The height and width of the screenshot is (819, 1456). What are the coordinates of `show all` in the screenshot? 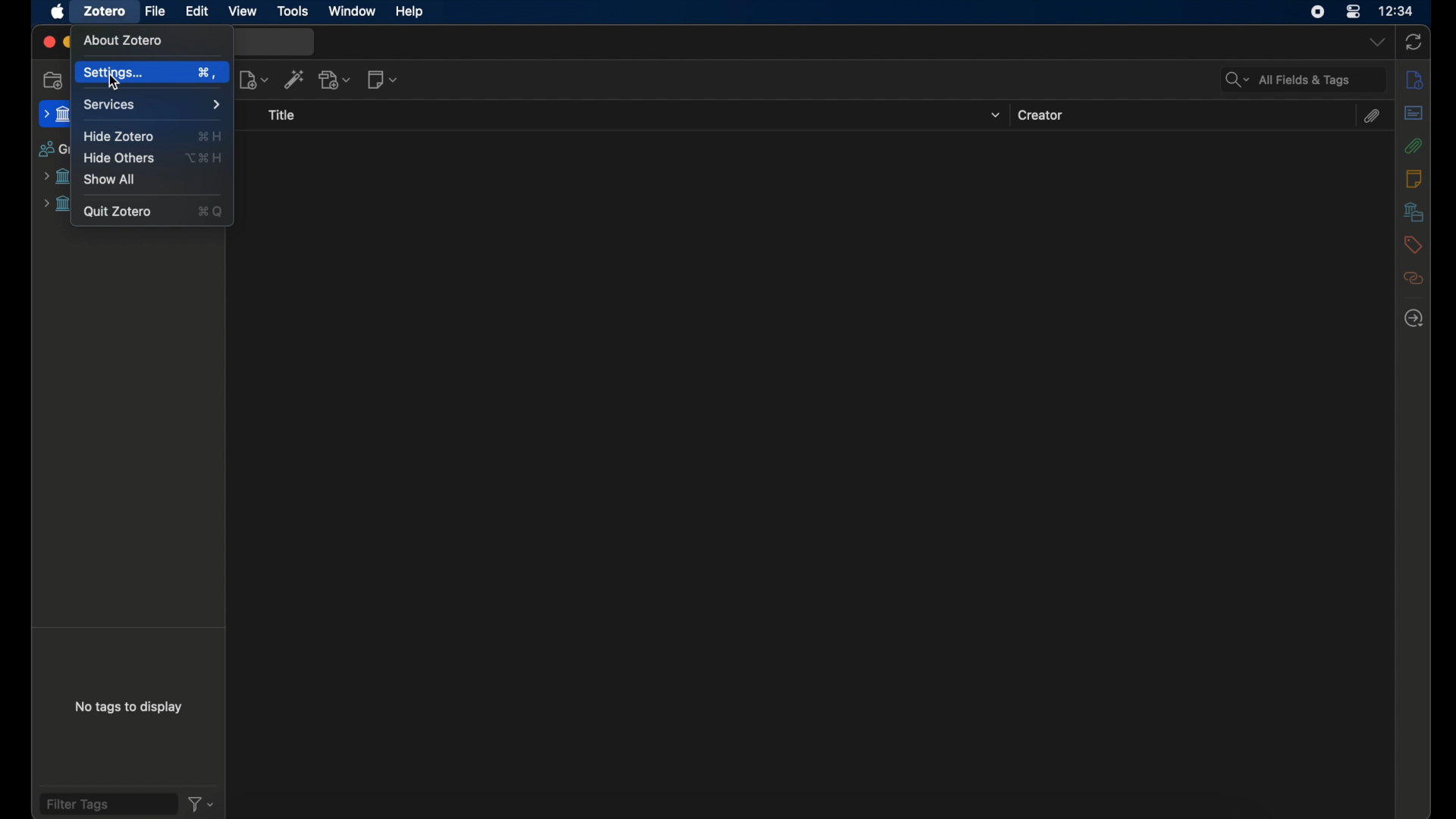 It's located at (111, 180).